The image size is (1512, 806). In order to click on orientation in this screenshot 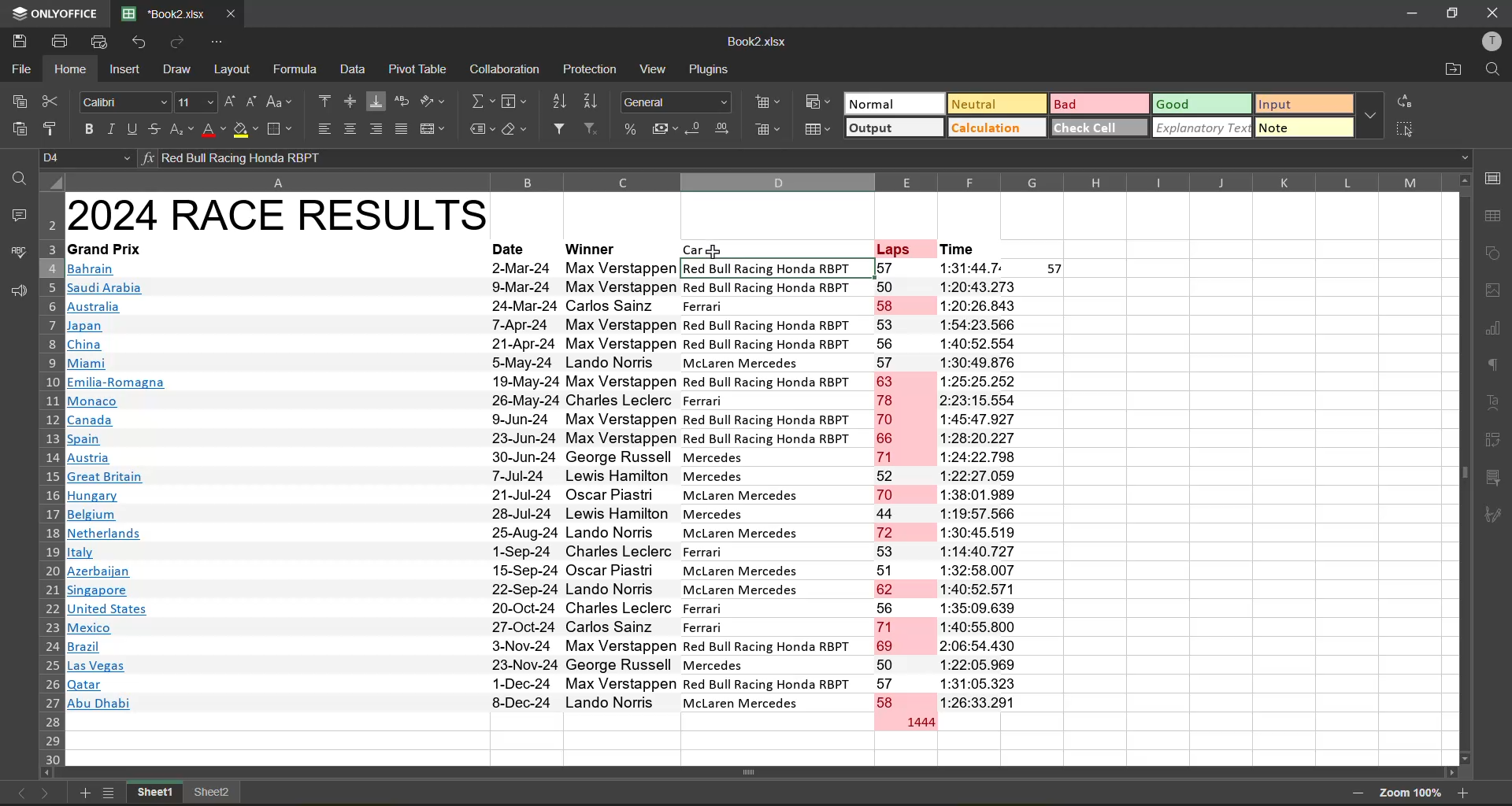, I will do `click(430, 102)`.